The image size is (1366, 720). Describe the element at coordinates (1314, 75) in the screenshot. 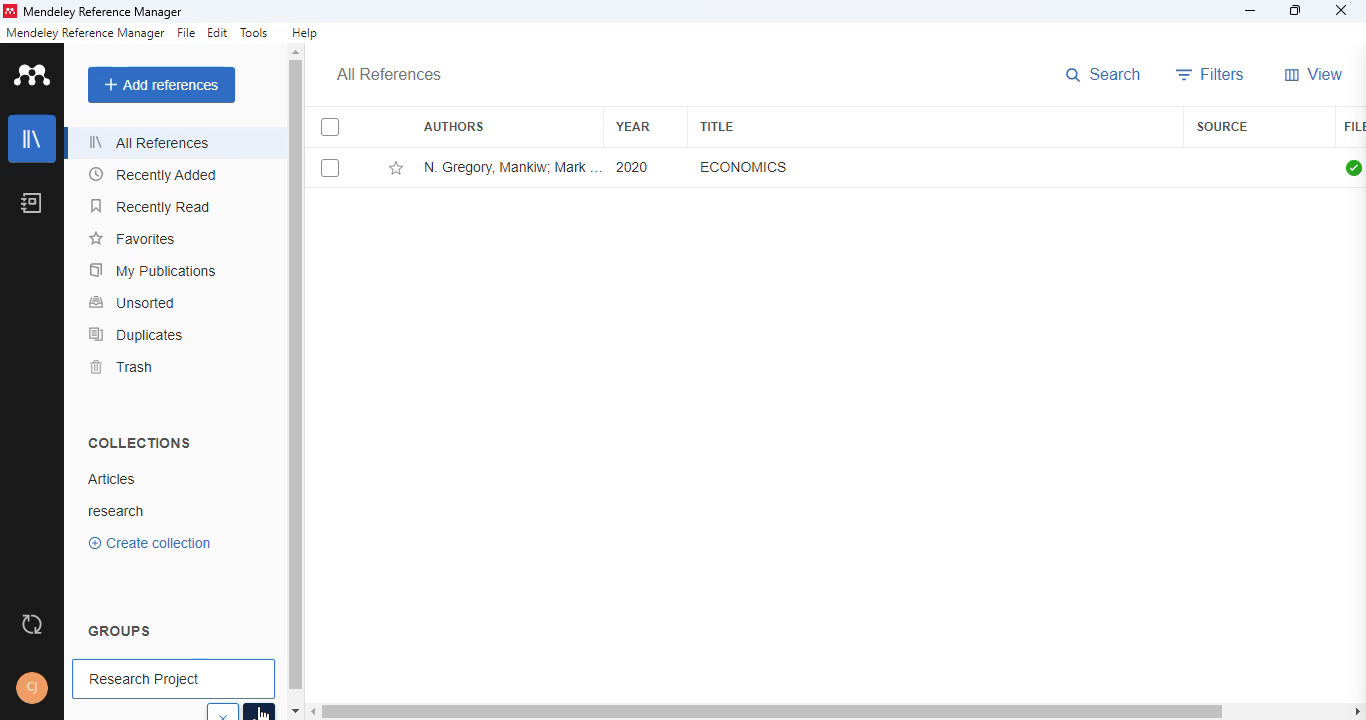

I see `view` at that location.